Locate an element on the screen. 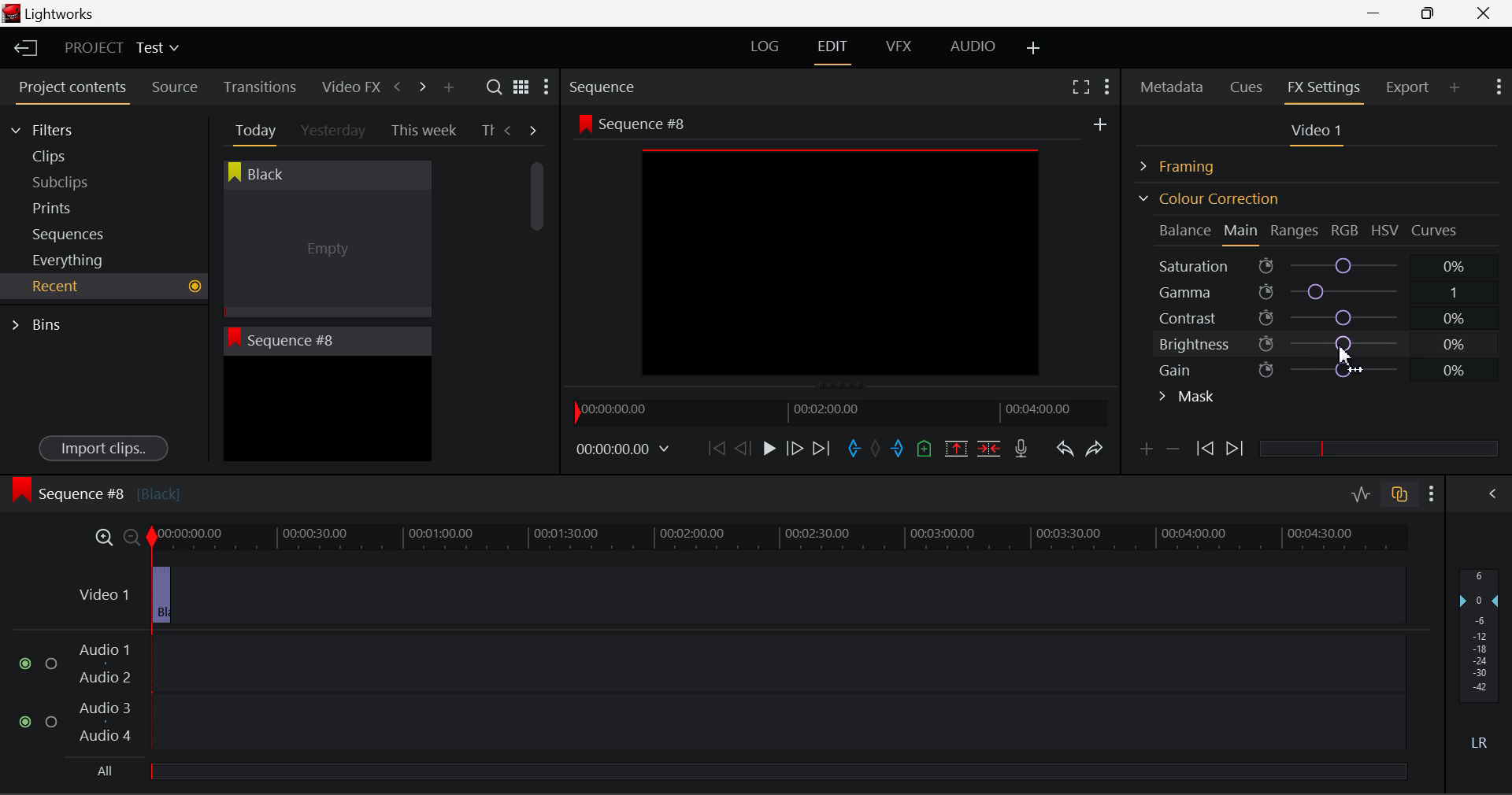 This screenshot has height=795, width=1512. To Start is located at coordinates (715, 448).